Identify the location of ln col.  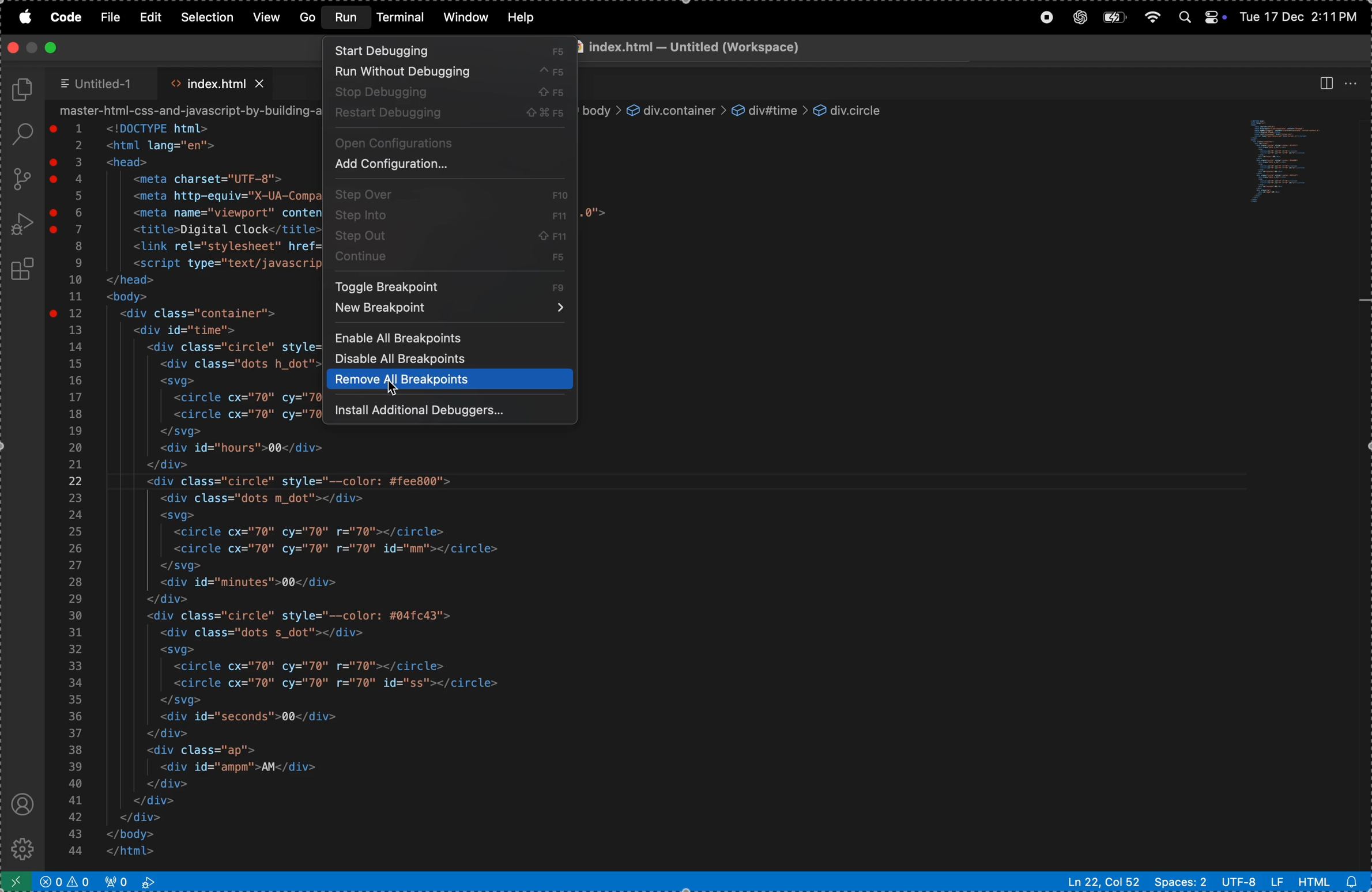
(1104, 882).